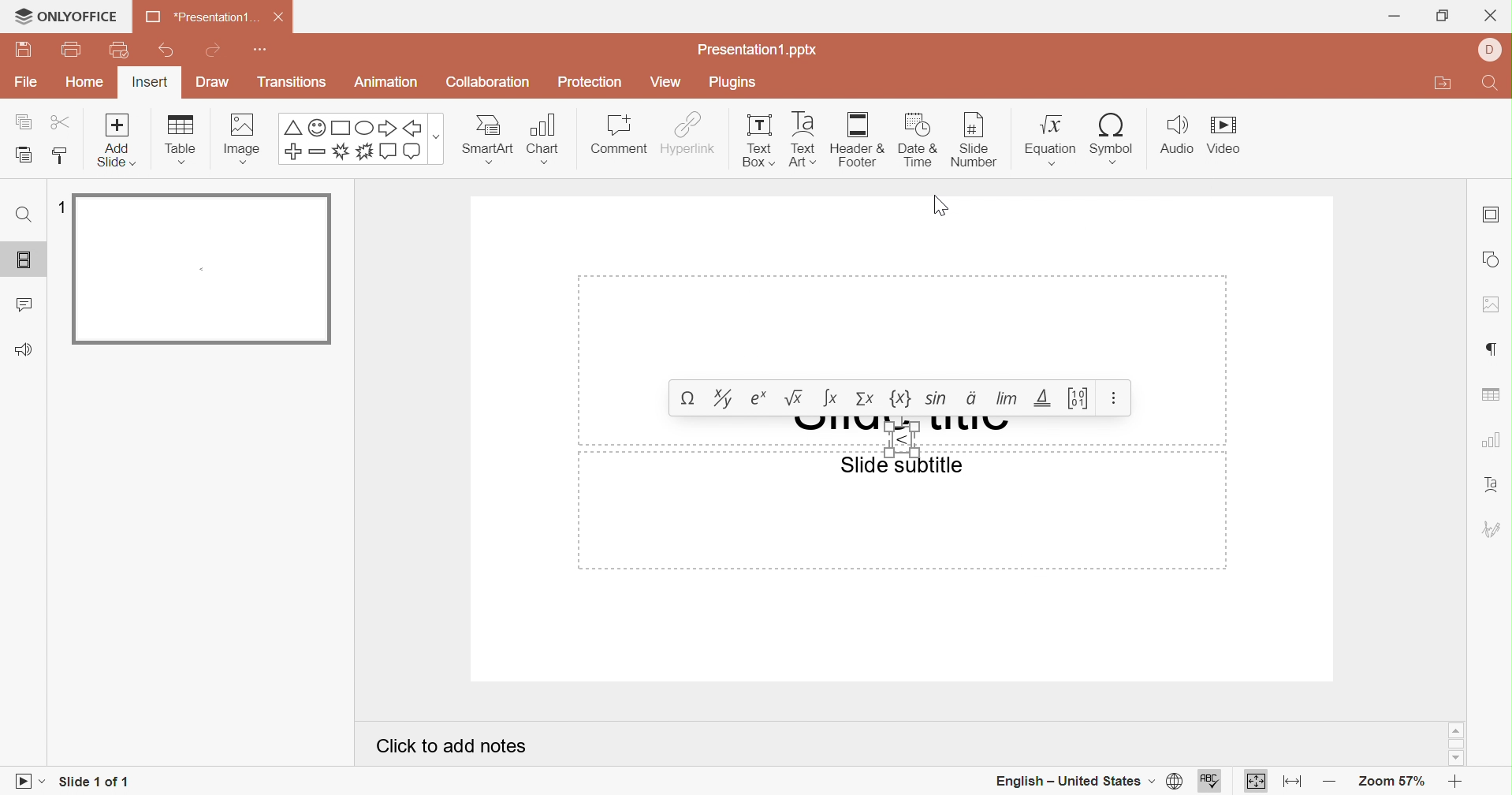 The height and width of the screenshot is (795, 1512). What do you see at coordinates (759, 141) in the screenshot?
I see `Text Box` at bounding box center [759, 141].